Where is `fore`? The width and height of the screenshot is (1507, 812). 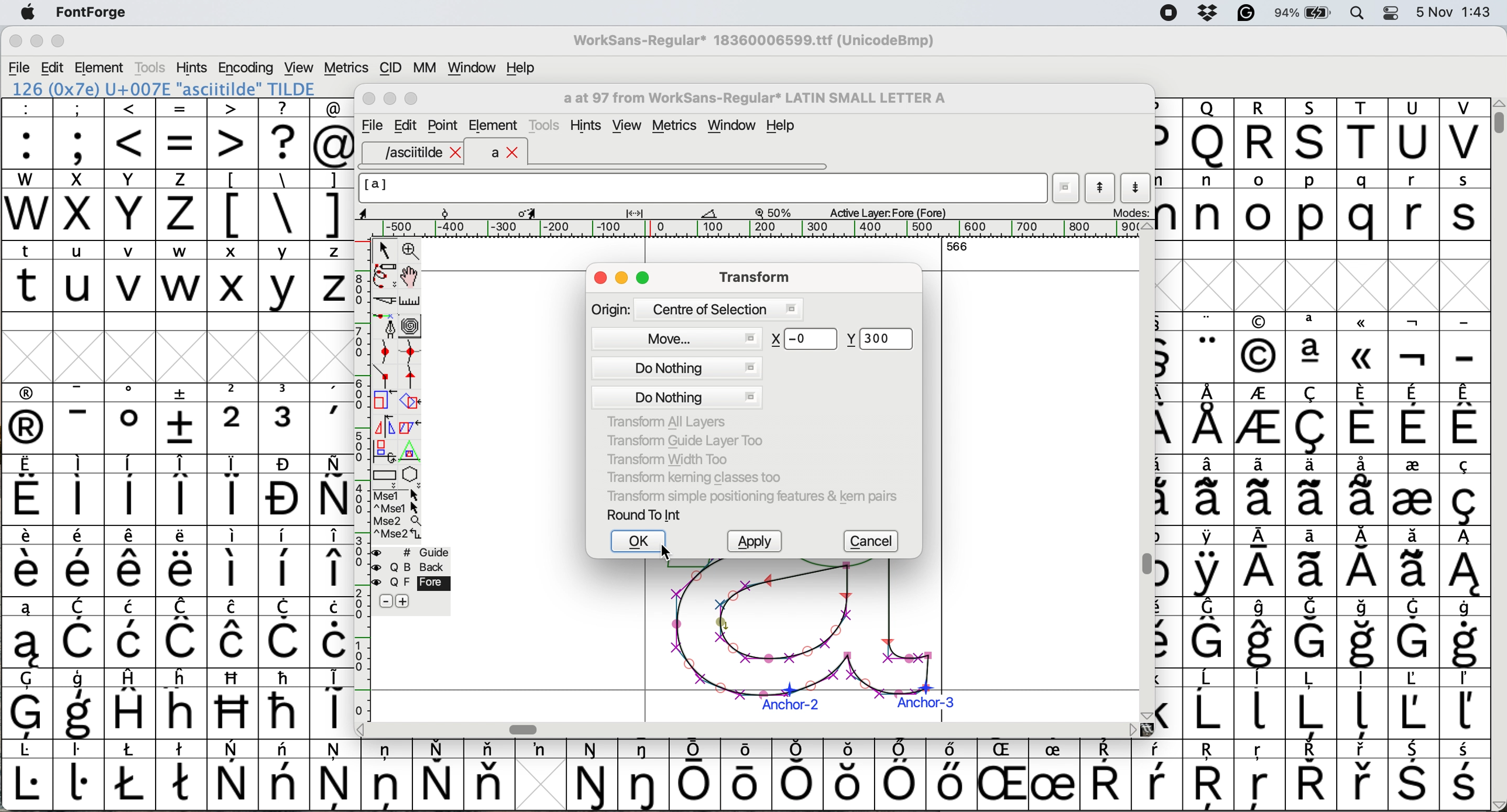 fore is located at coordinates (412, 583).